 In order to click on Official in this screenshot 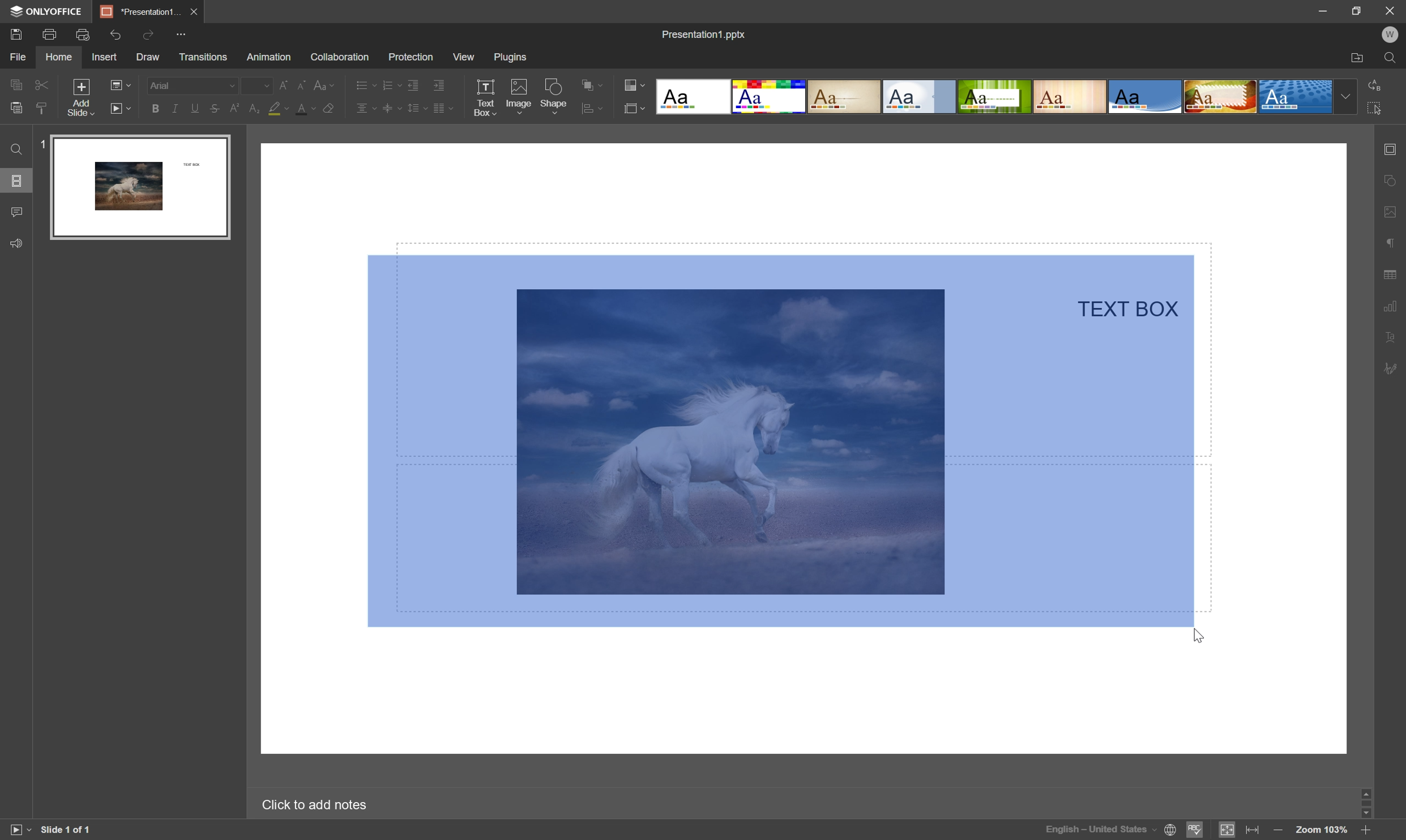, I will do `click(919, 98)`.